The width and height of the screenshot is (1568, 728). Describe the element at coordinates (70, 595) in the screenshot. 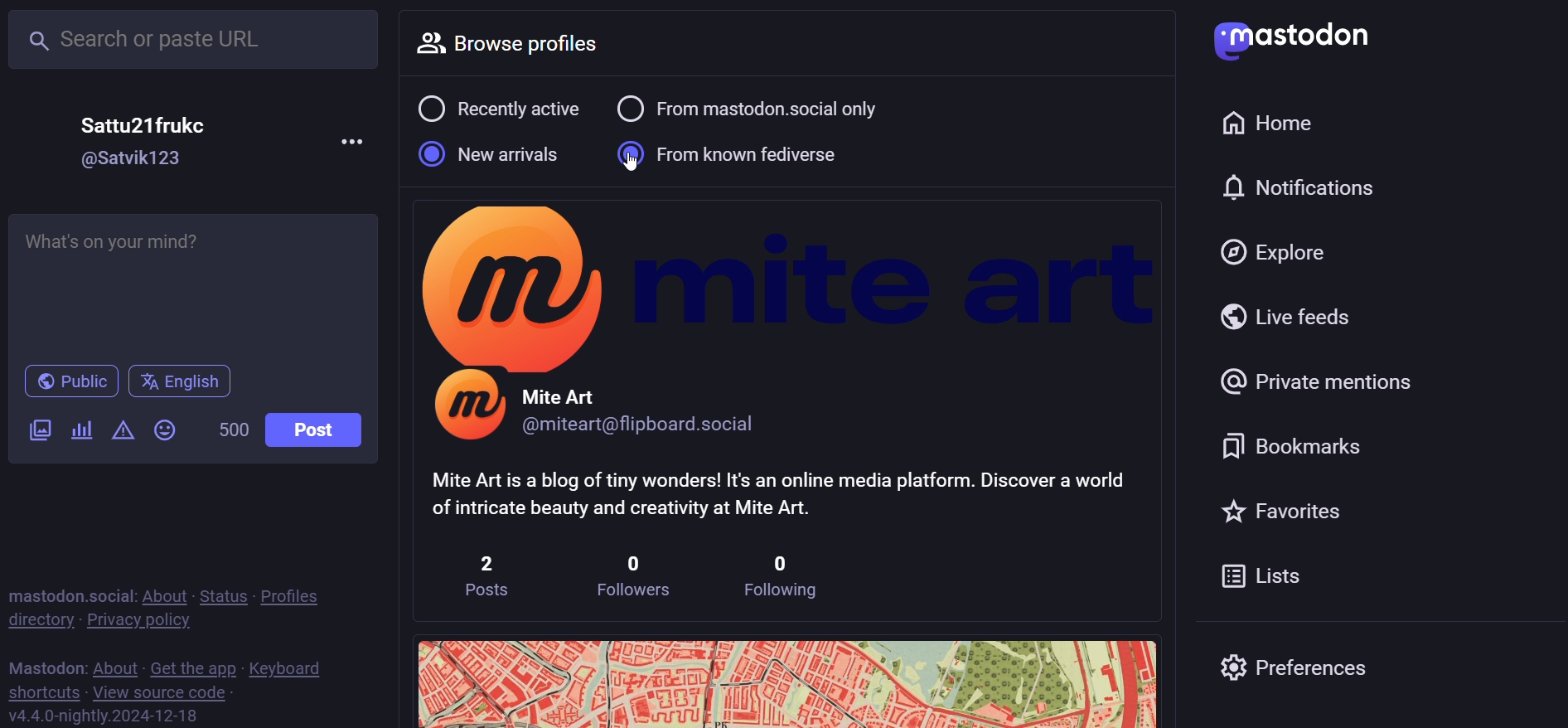

I see `mastodon social` at that location.